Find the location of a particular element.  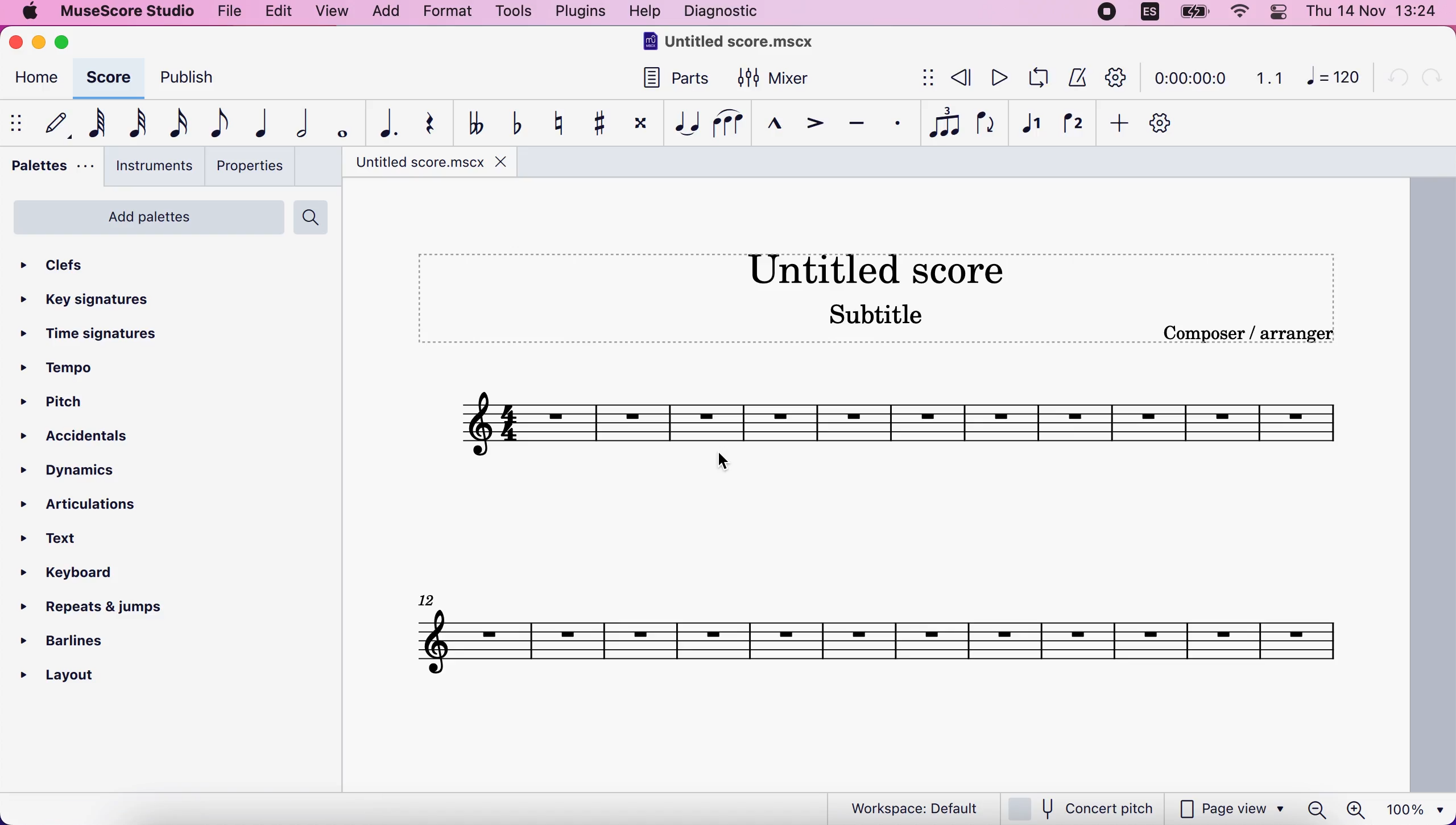

eight note is located at coordinates (215, 125).